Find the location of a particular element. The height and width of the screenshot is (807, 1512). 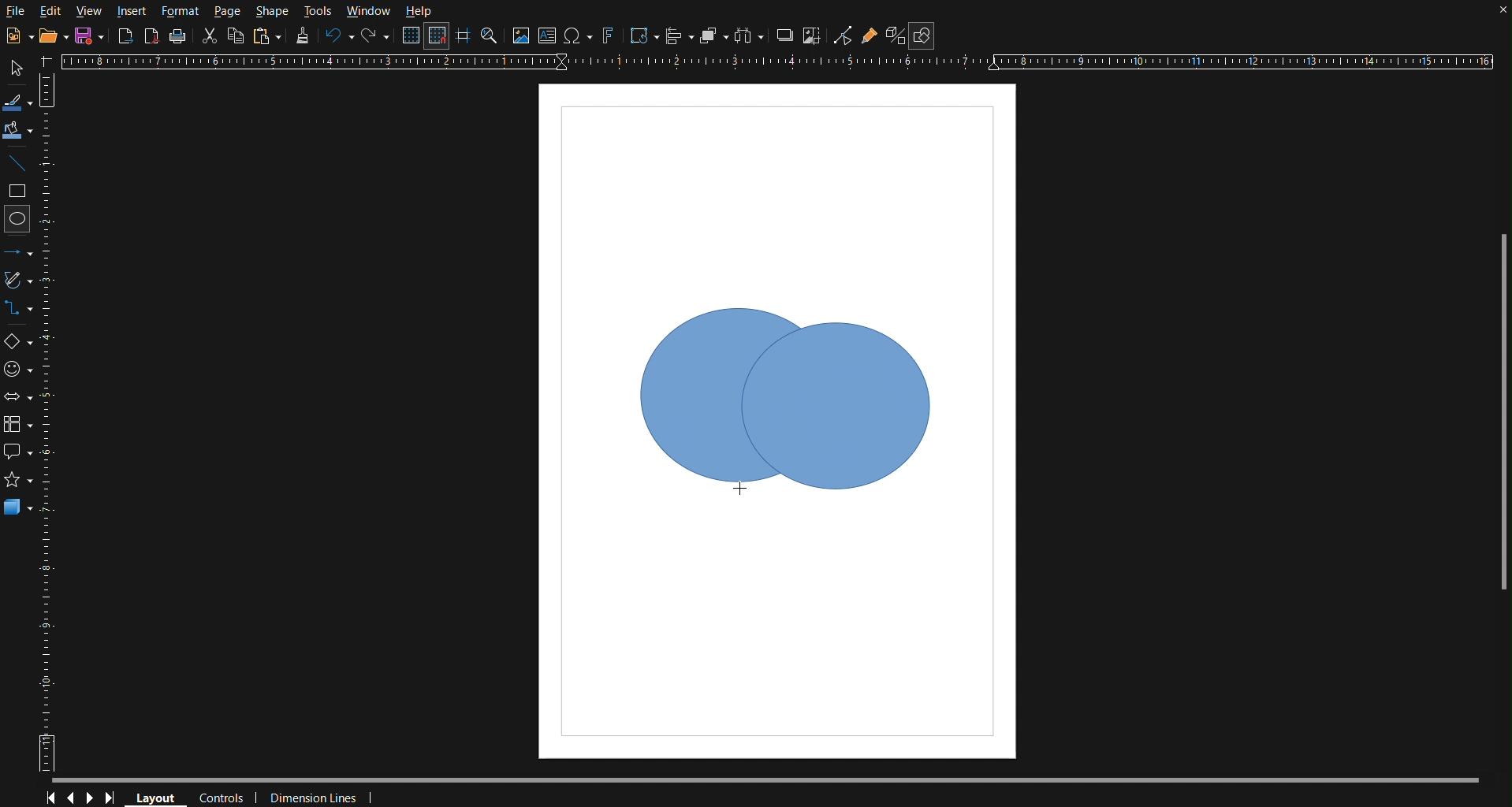

File is located at coordinates (17, 13).